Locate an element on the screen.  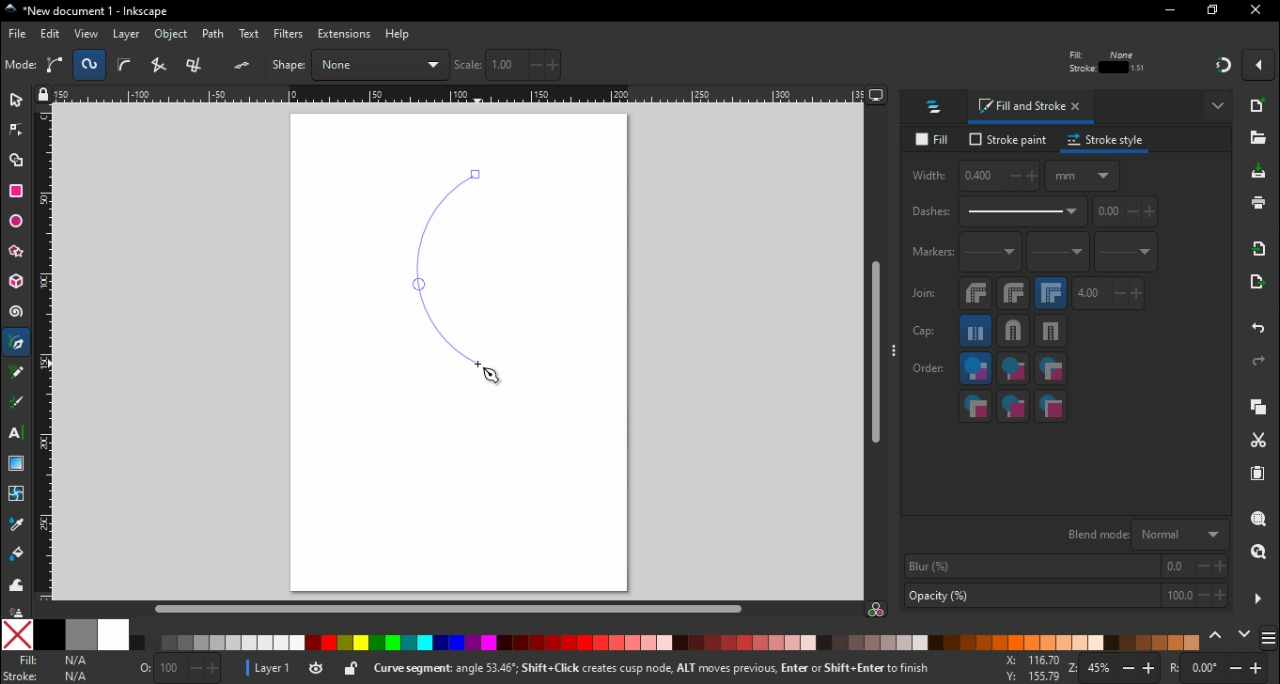
icon and filename is located at coordinates (84, 12).